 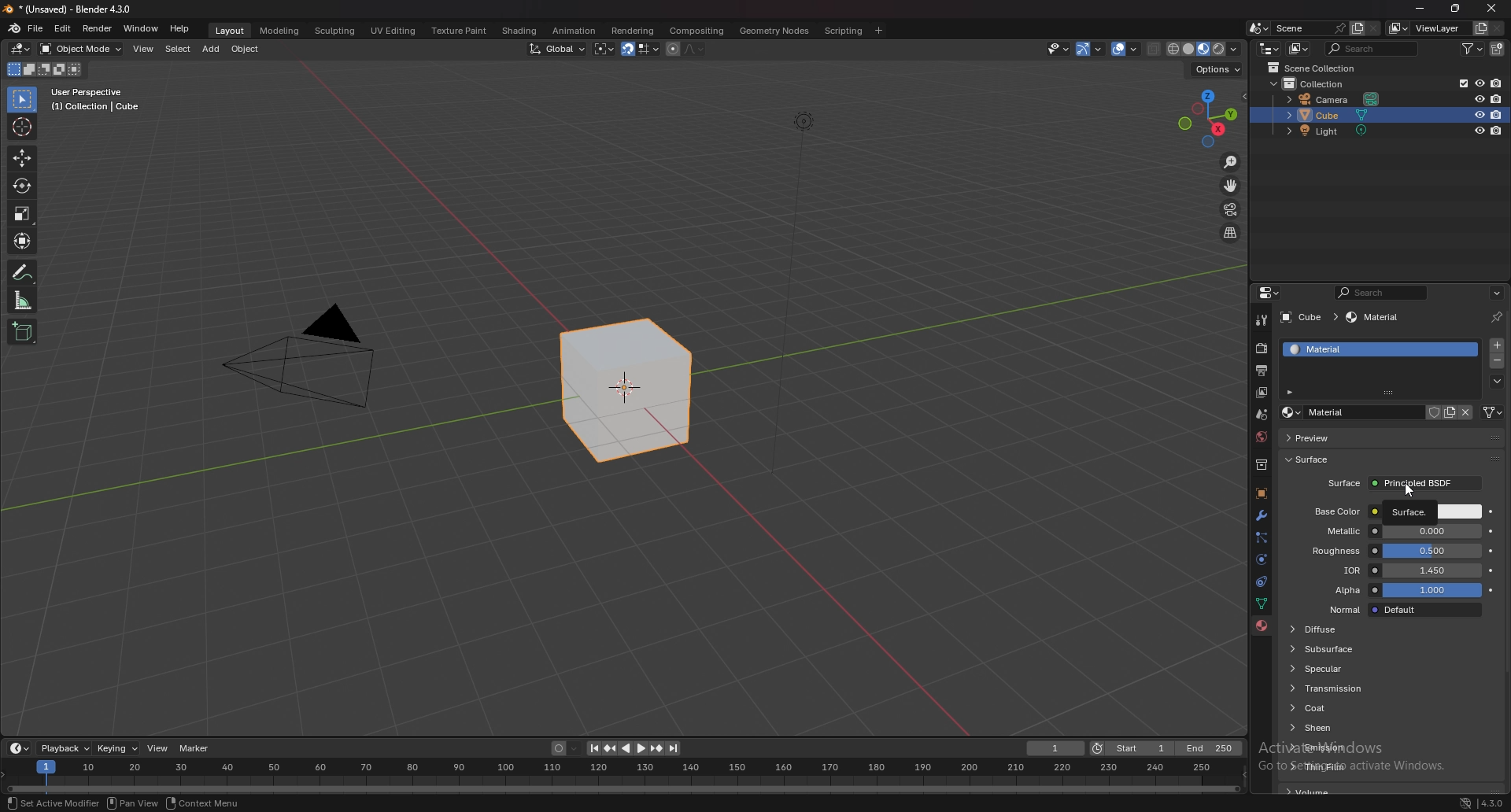 What do you see at coordinates (15, 28) in the screenshot?
I see `blender` at bounding box center [15, 28].